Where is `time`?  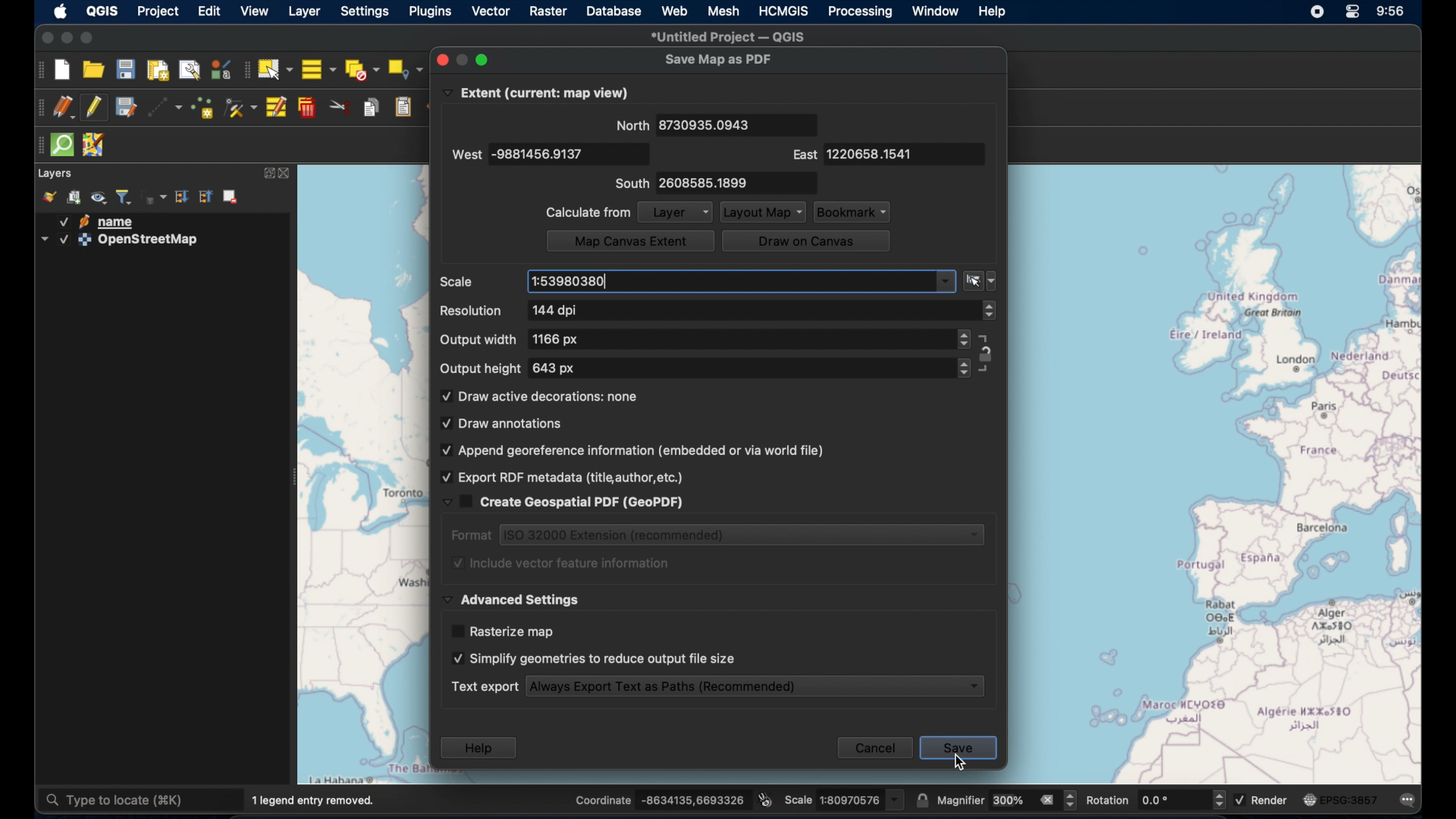 time is located at coordinates (1393, 13).